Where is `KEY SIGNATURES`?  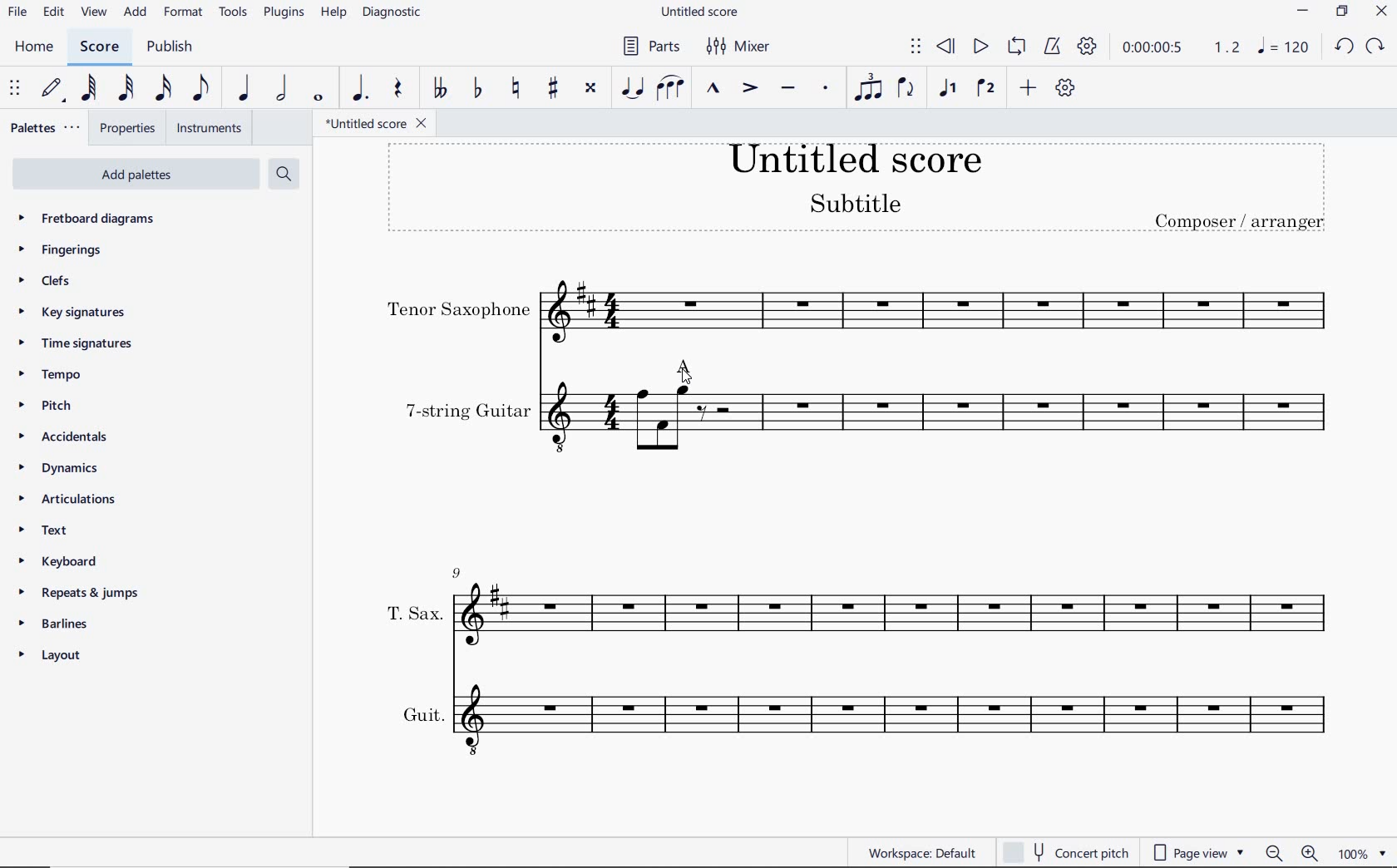
KEY SIGNATURES is located at coordinates (81, 313).